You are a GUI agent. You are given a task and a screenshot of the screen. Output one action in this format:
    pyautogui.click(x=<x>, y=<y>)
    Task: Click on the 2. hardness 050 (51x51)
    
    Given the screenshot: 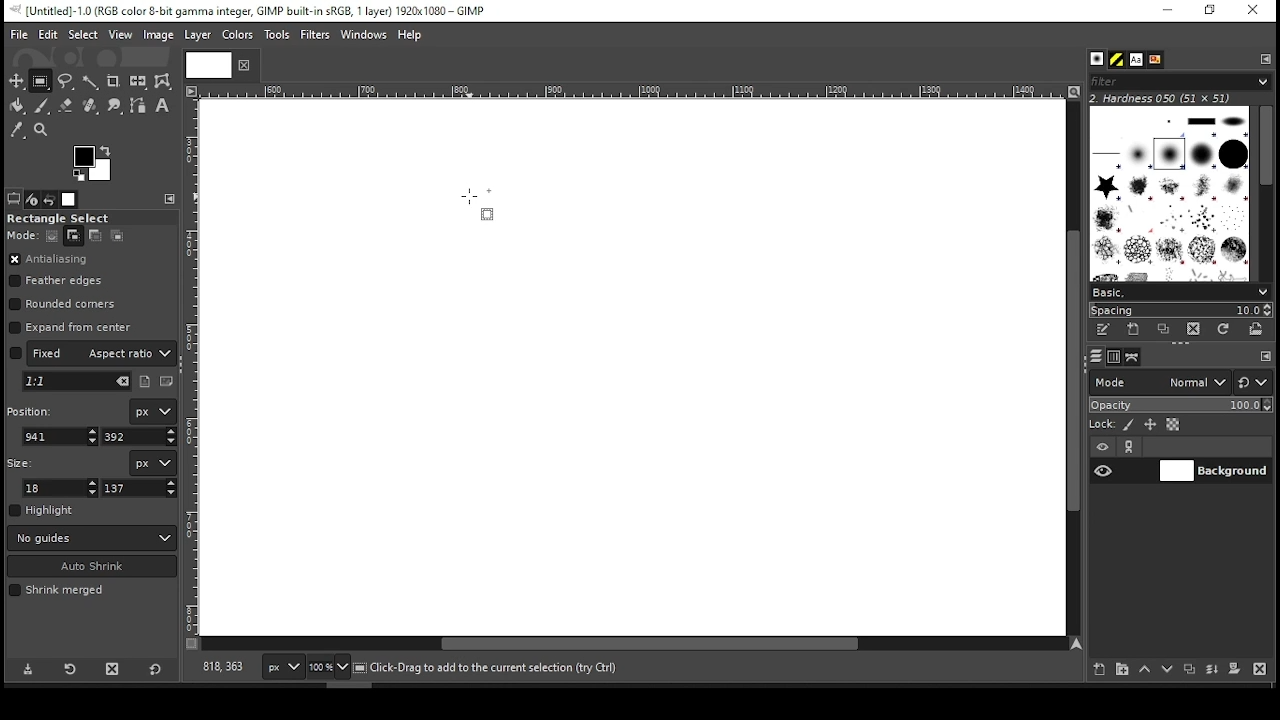 What is the action you would take?
    pyautogui.click(x=1166, y=98)
    